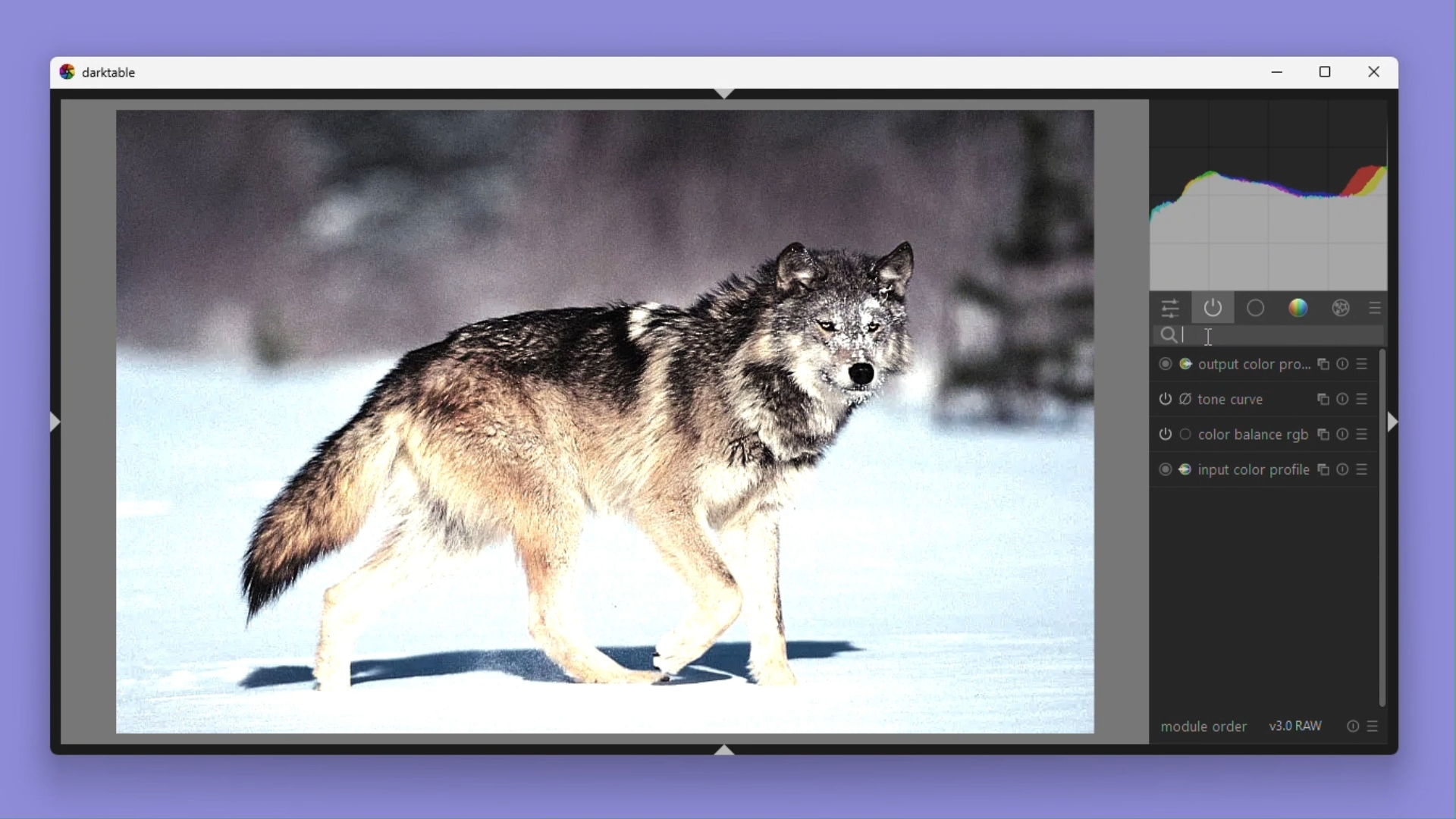 This screenshot has width=1456, height=819. What do you see at coordinates (1394, 424) in the screenshot?
I see `Collapse` at bounding box center [1394, 424].